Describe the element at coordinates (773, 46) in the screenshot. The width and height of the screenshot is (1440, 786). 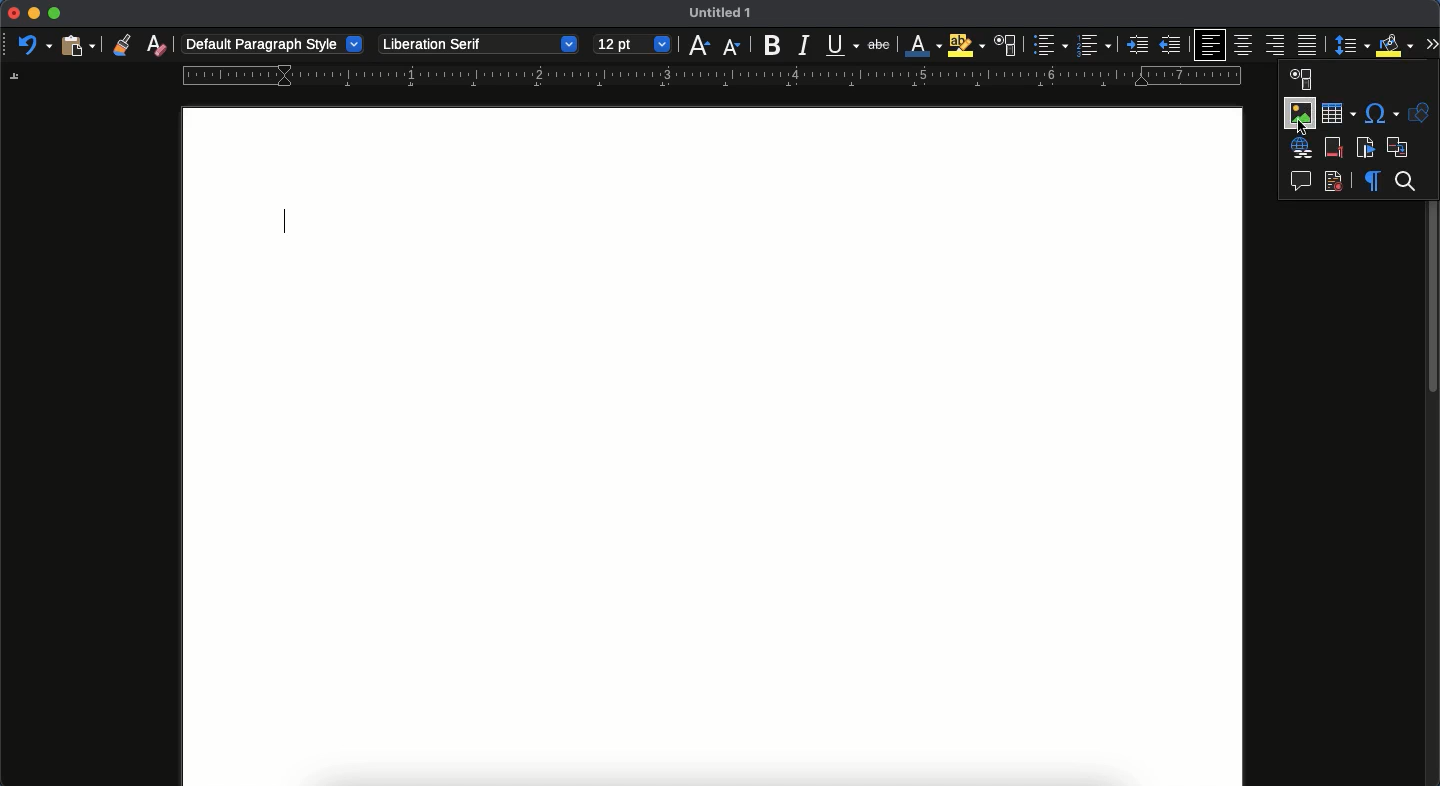
I see `bold` at that location.